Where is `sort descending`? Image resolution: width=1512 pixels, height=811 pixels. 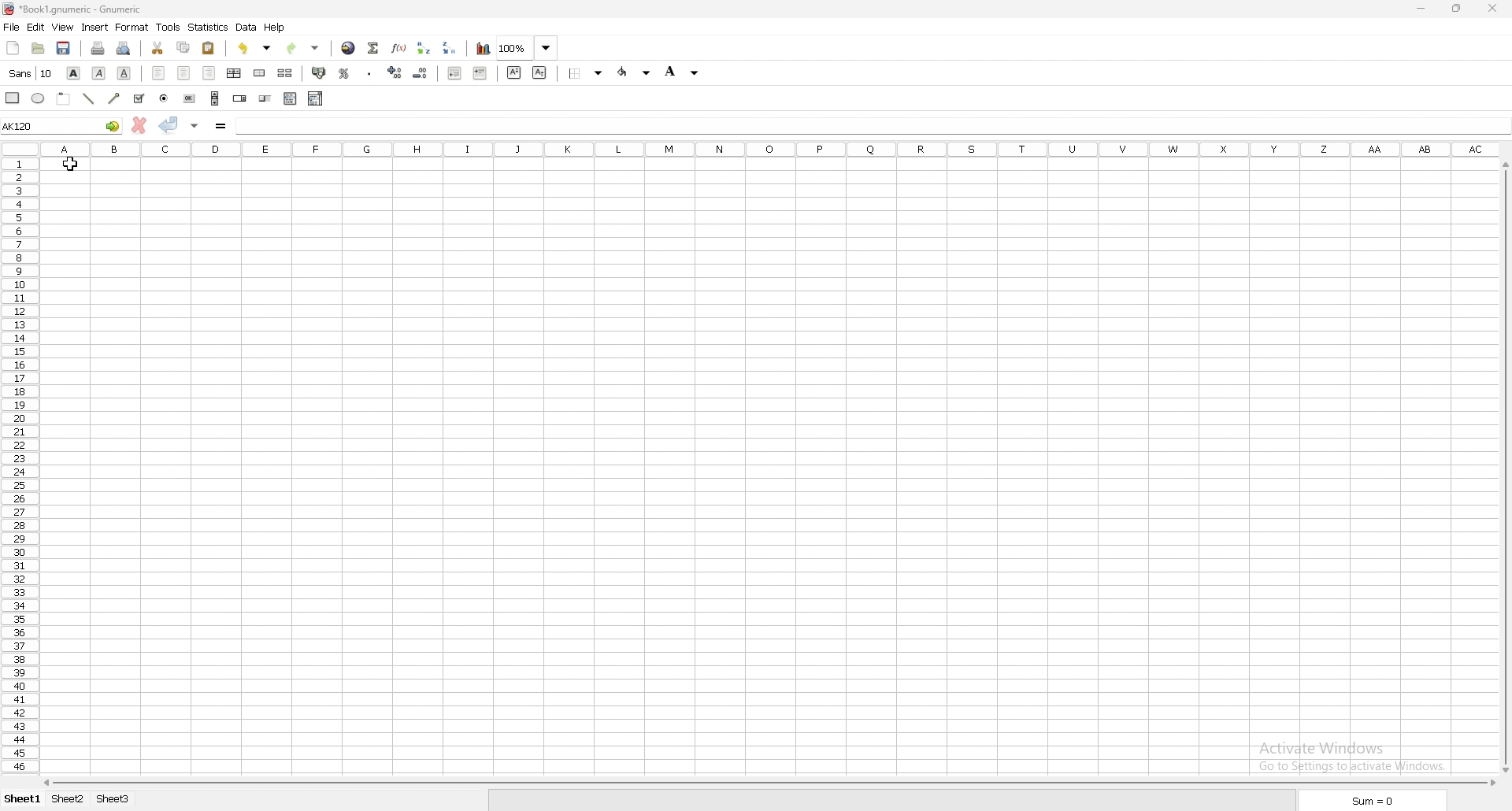
sort descending is located at coordinates (449, 47).